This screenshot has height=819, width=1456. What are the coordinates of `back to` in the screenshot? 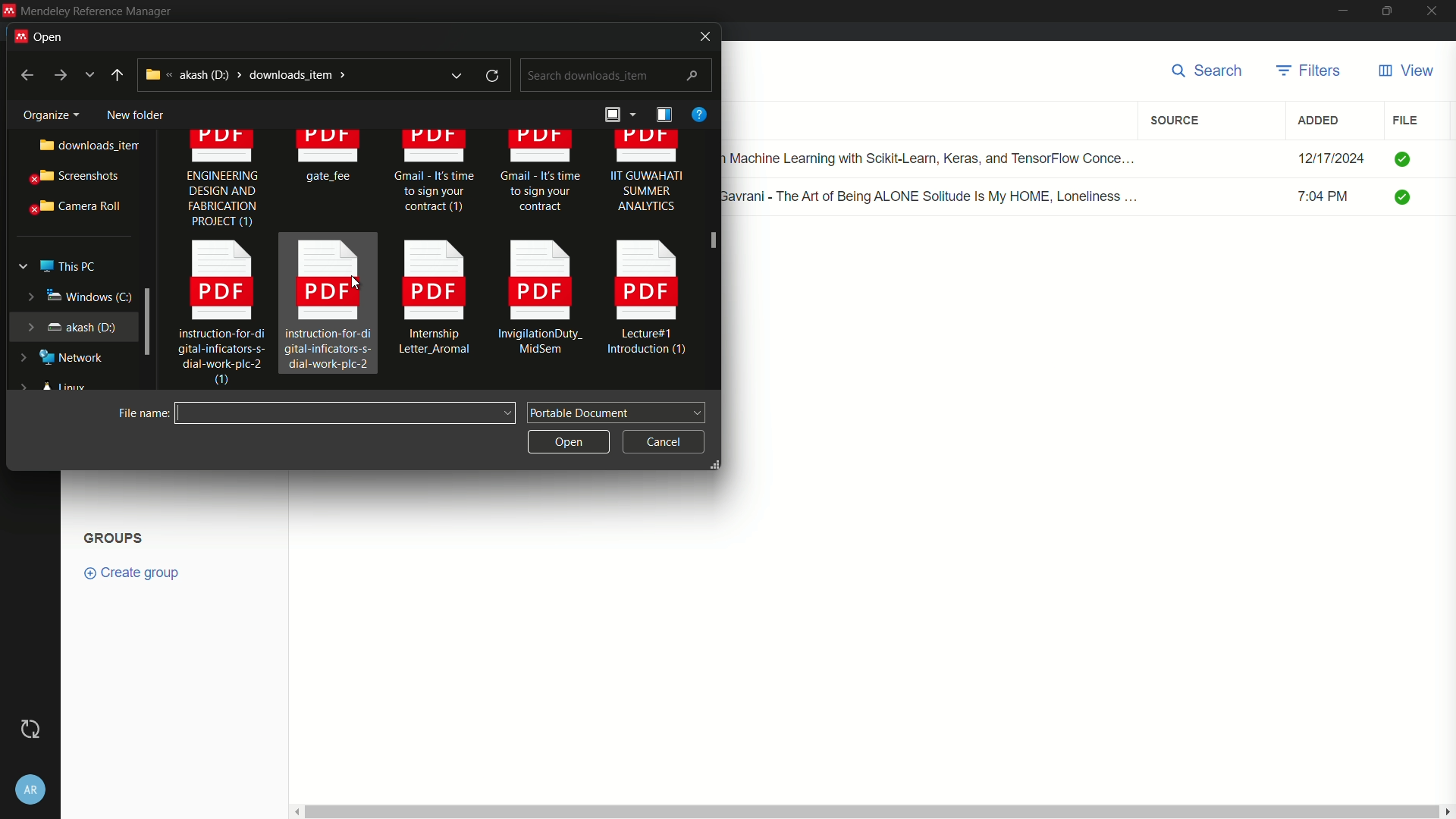 It's located at (22, 74).